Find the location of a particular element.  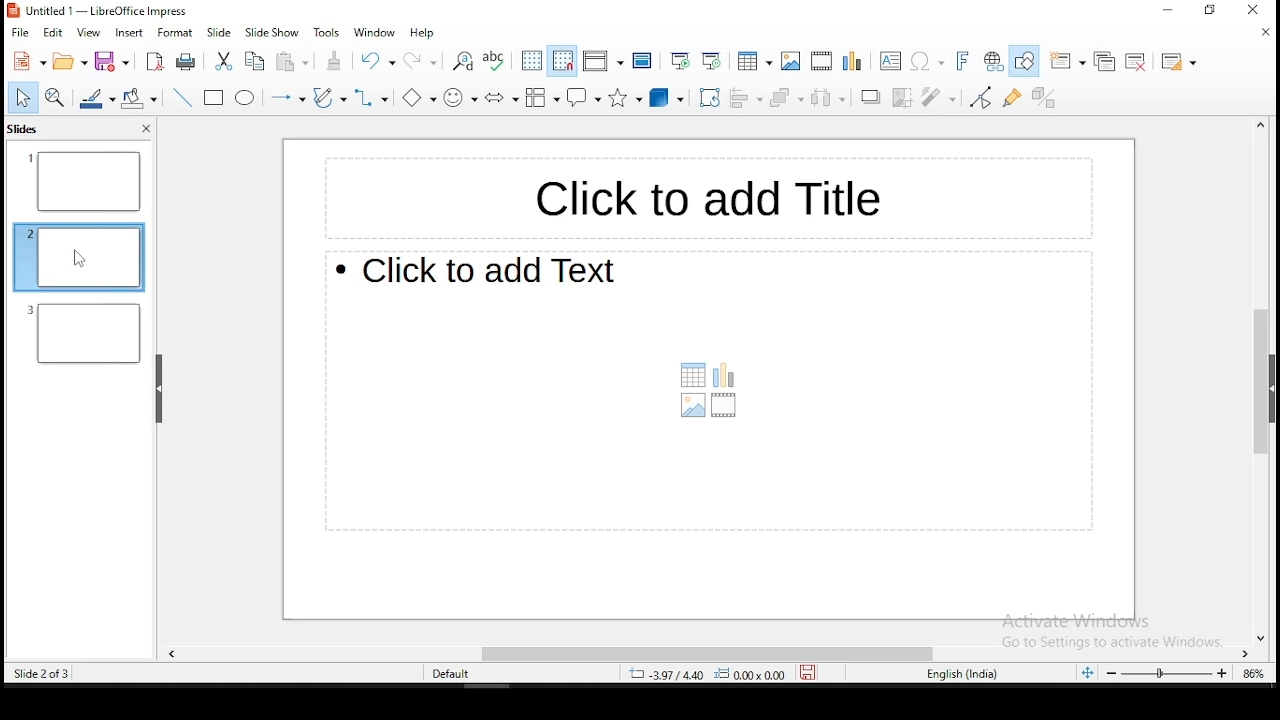

symbol shapes is located at coordinates (460, 97).